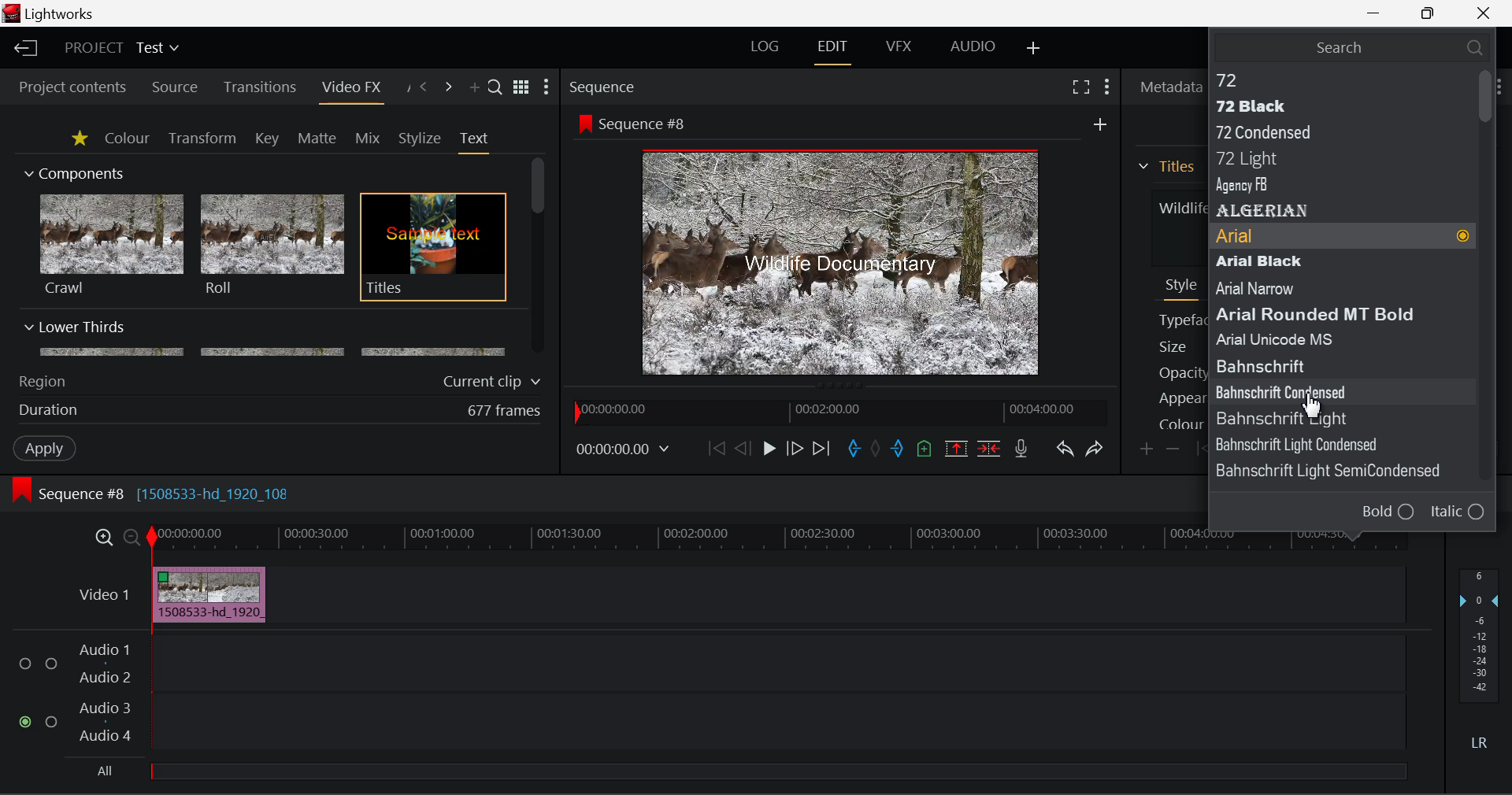 The image size is (1512, 795). What do you see at coordinates (539, 257) in the screenshot?
I see `Scroll Bar` at bounding box center [539, 257].